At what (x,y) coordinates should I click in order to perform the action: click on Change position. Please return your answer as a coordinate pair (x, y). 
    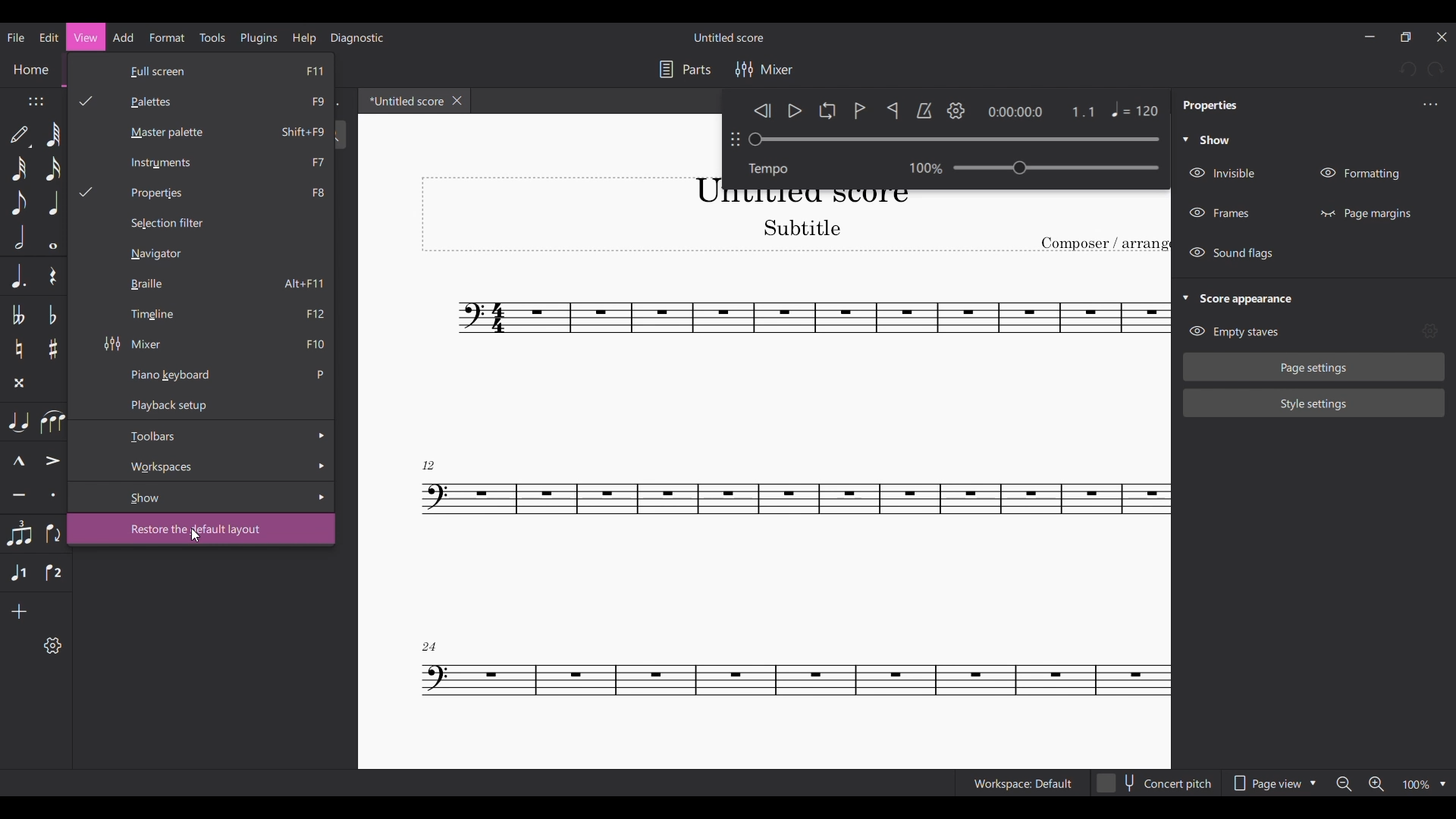
    Looking at the image, I should click on (734, 139).